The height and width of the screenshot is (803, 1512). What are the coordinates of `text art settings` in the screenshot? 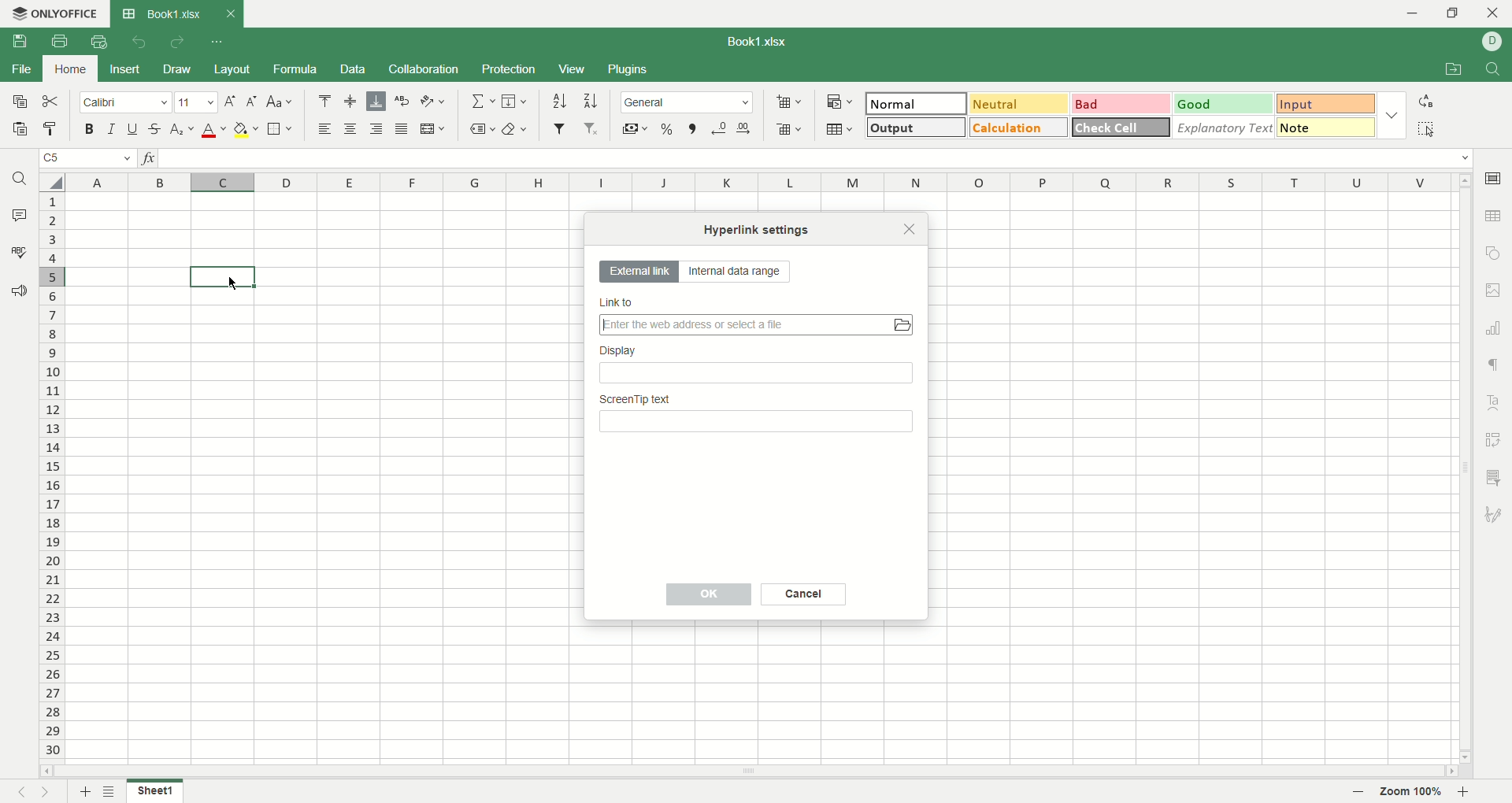 It's located at (1497, 399).